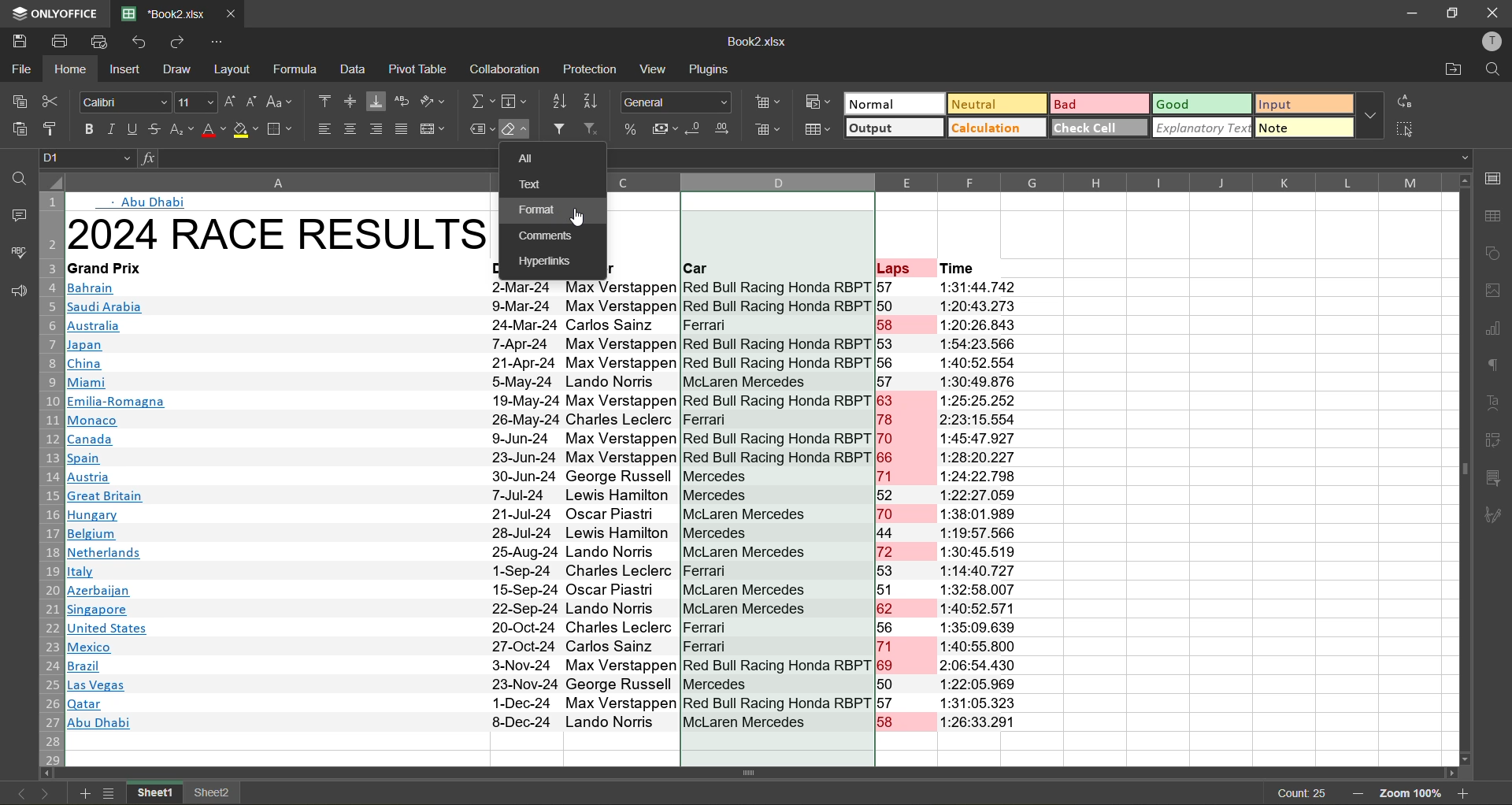  I want to click on undo, so click(137, 42).